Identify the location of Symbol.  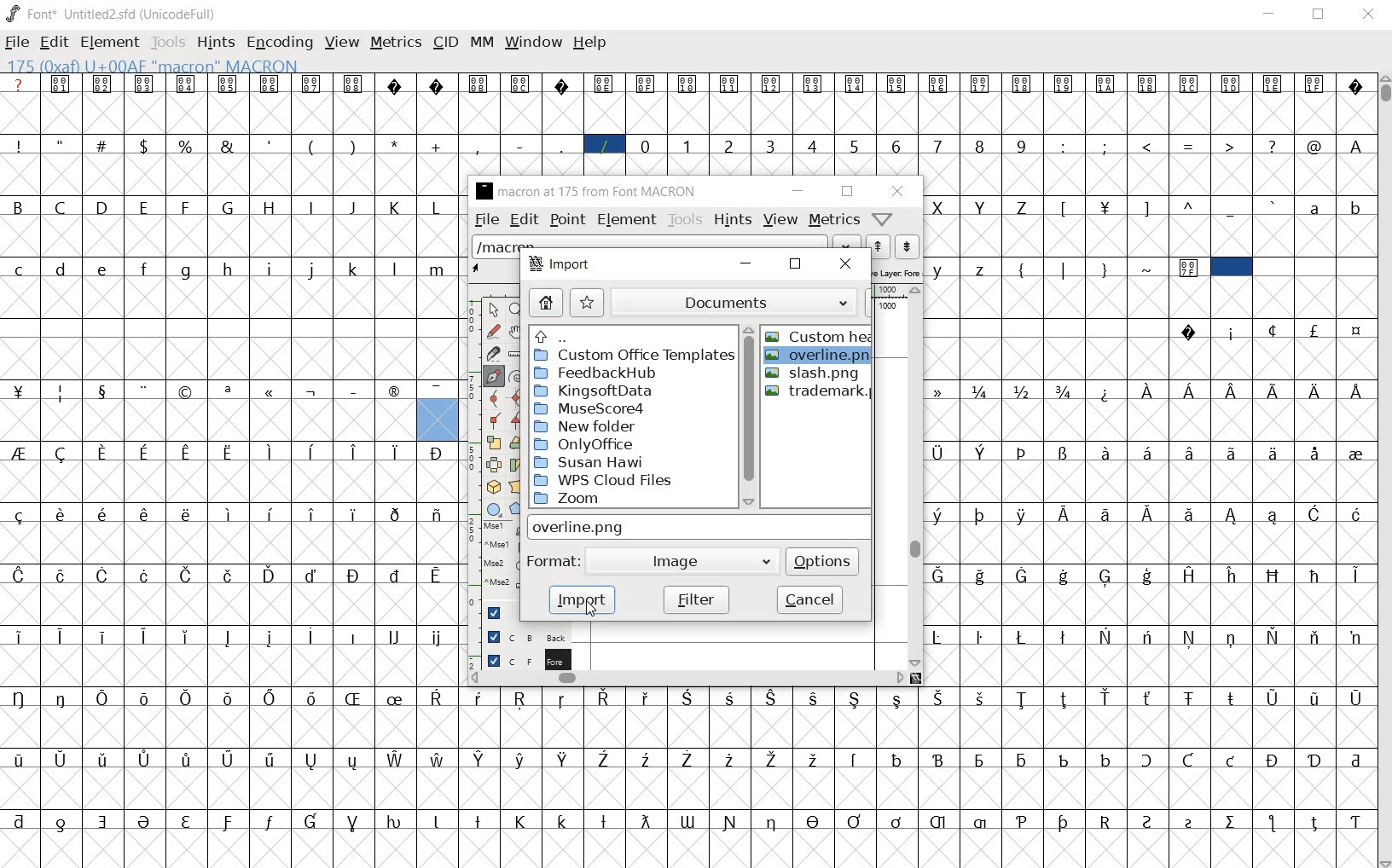
(687, 758).